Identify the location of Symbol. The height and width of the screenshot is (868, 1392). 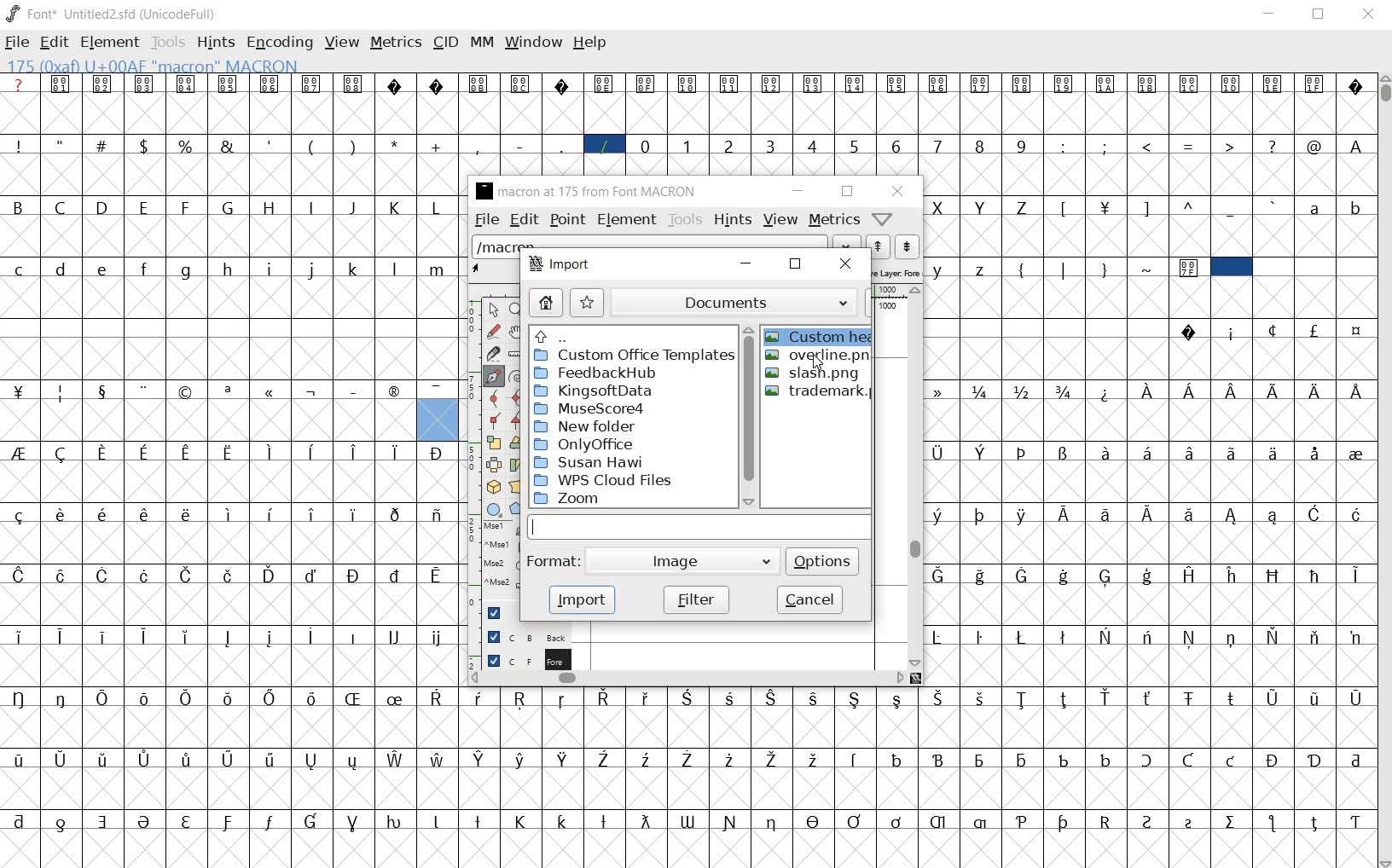
(561, 84).